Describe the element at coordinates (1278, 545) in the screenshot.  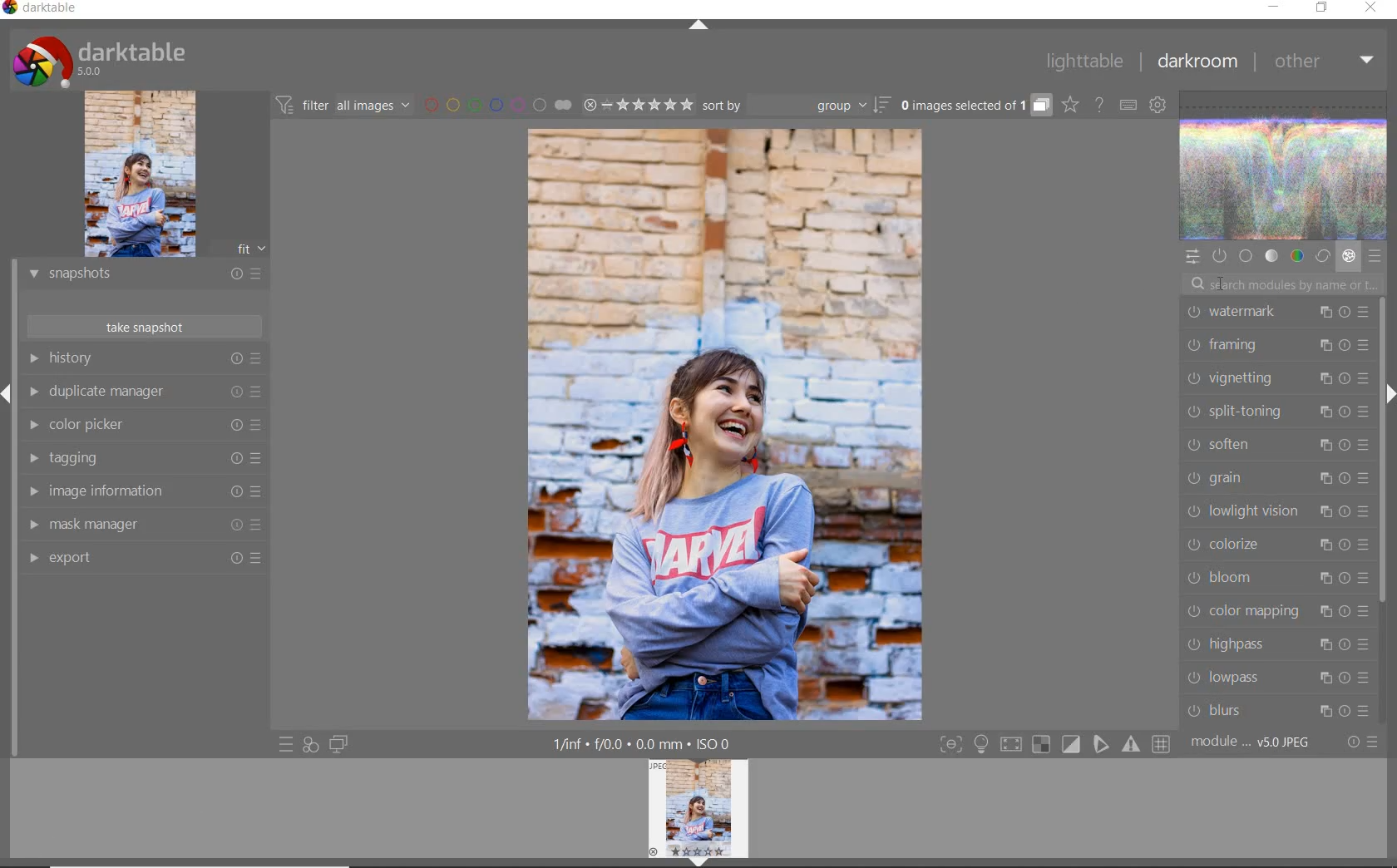
I see `colorize` at that location.